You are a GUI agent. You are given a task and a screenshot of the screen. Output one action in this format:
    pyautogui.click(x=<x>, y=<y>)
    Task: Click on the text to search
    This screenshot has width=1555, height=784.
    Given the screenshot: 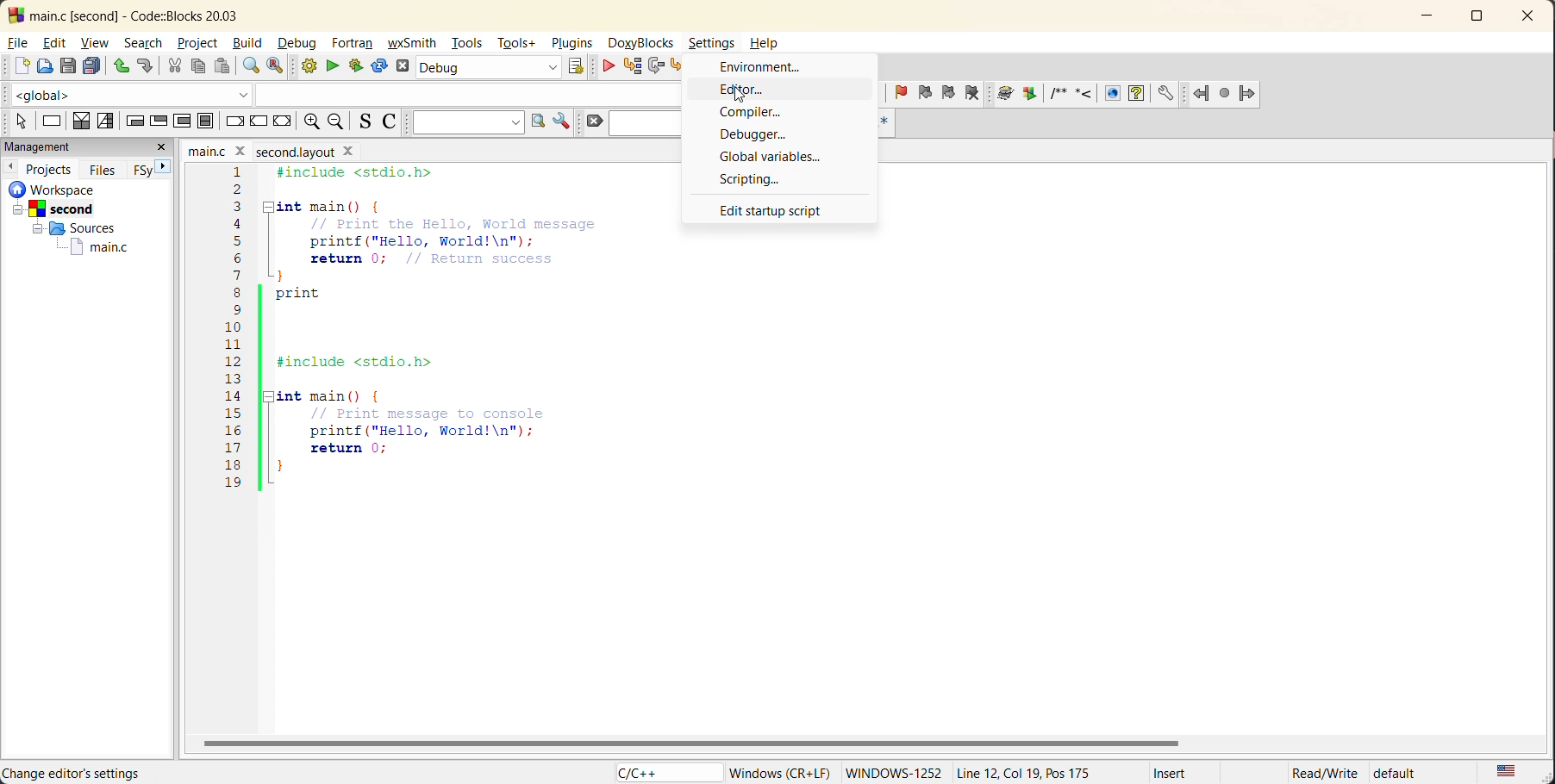 What is the action you would take?
    pyautogui.click(x=465, y=121)
    